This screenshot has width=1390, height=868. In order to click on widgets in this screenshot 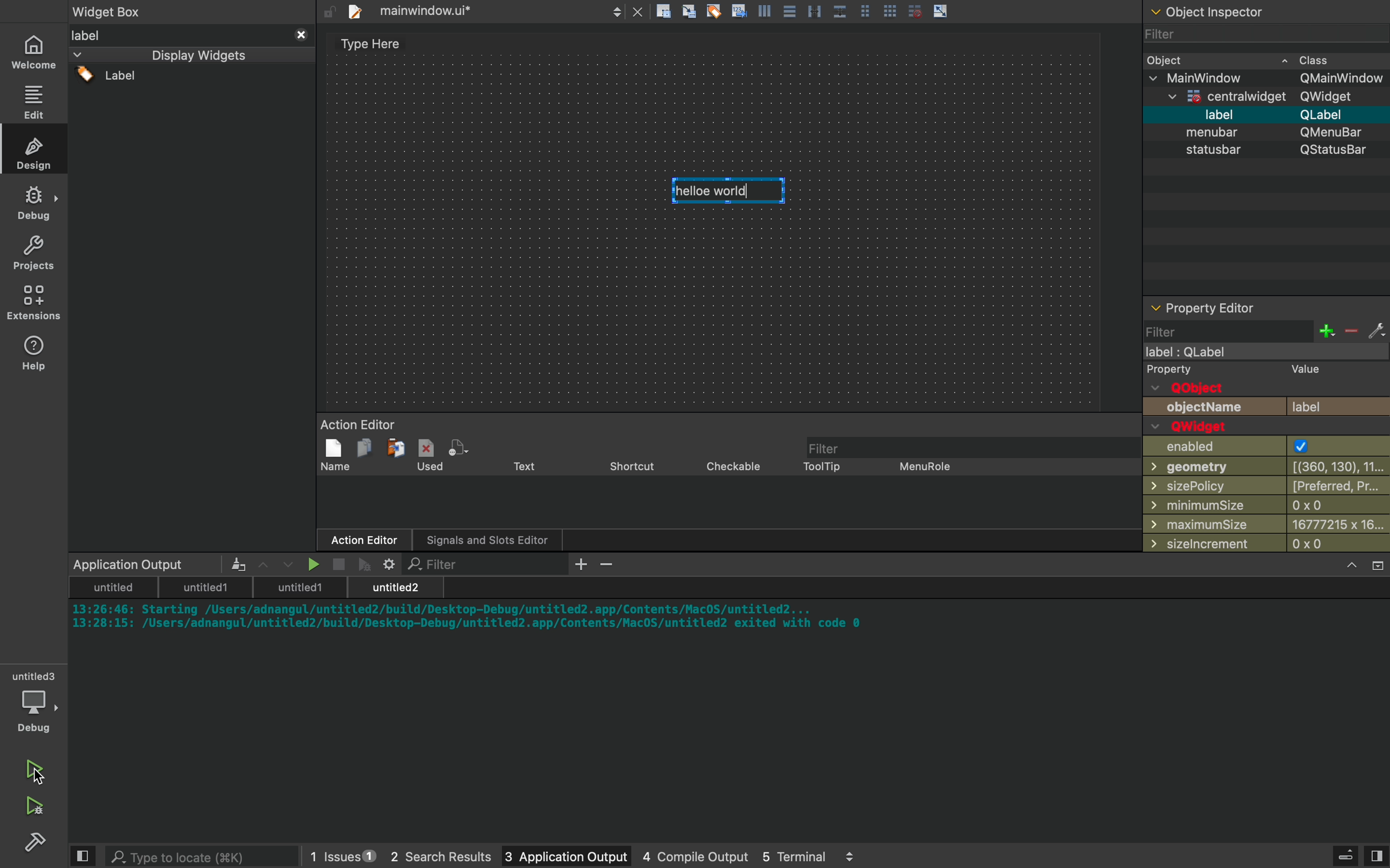, I will do `click(192, 289)`.